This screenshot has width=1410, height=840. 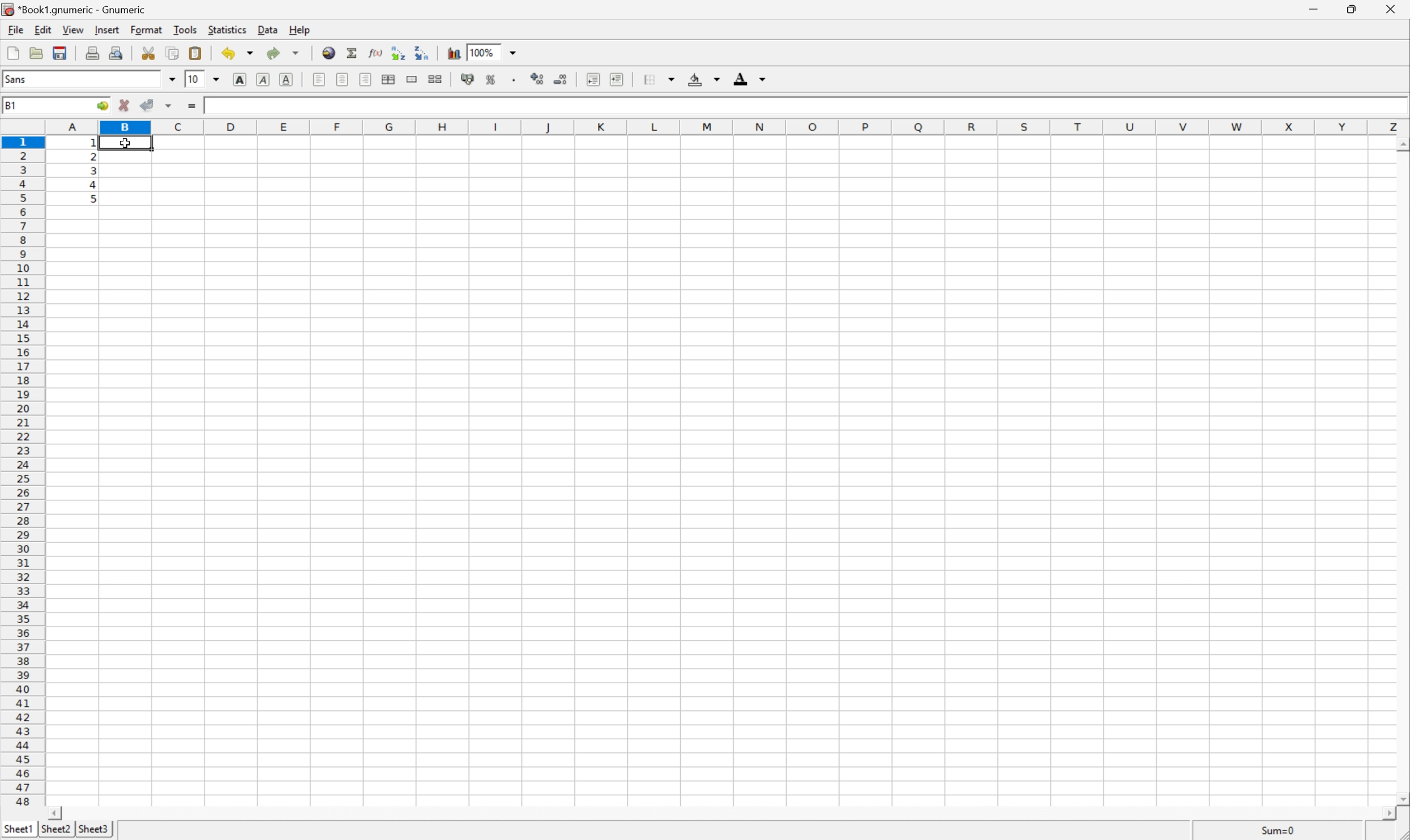 What do you see at coordinates (1279, 832) in the screenshot?
I see `Sum=1` at bounding box center [1279, 832].